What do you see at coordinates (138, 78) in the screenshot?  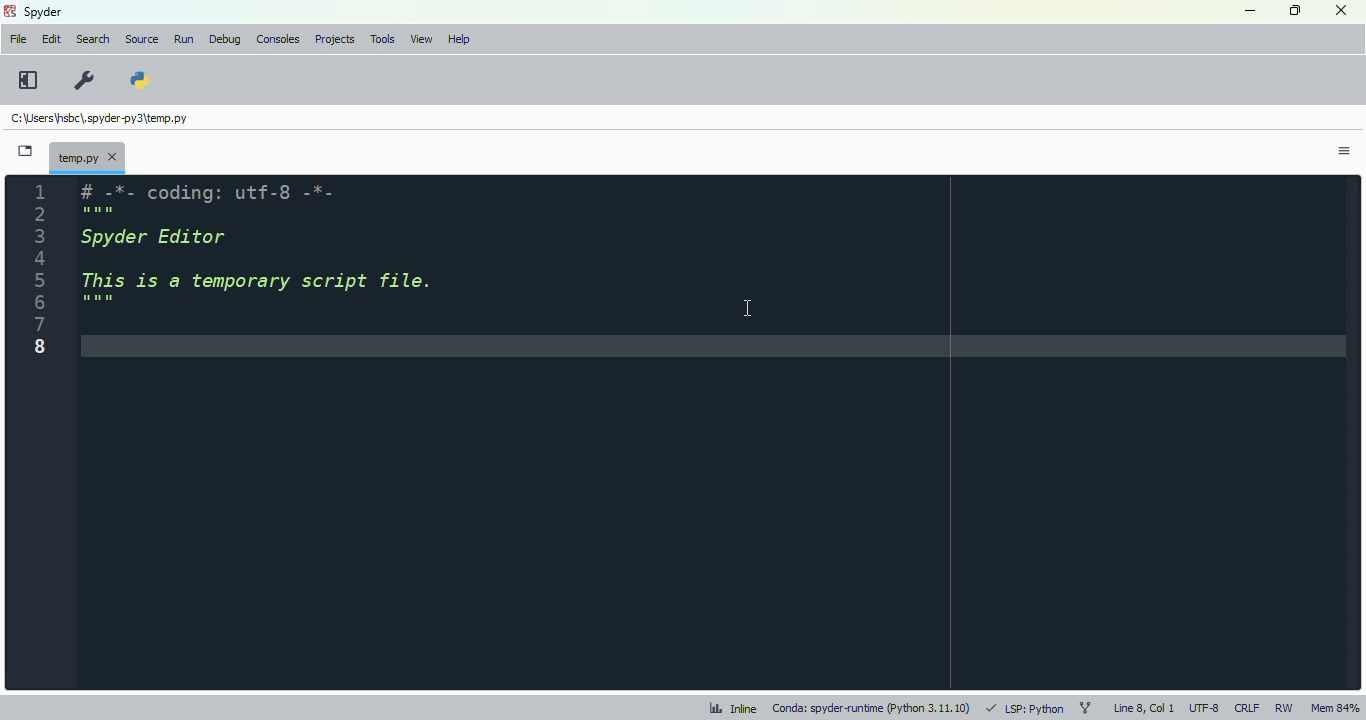 I see `PYTHONPATH manager` at bounding box center [138, 78].